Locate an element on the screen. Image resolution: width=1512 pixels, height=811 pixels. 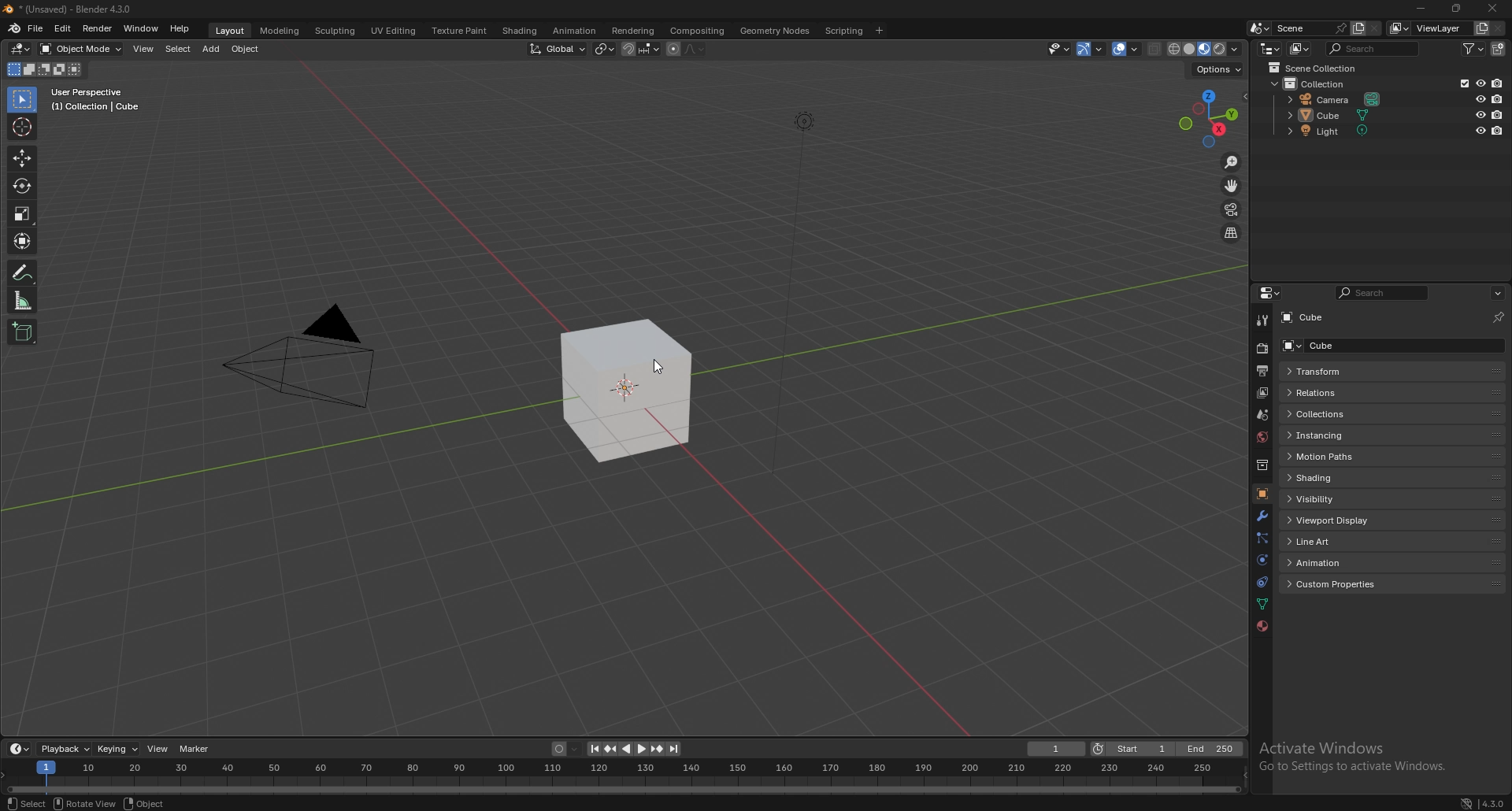
transformation orientation is located at coordinates (558, 49).